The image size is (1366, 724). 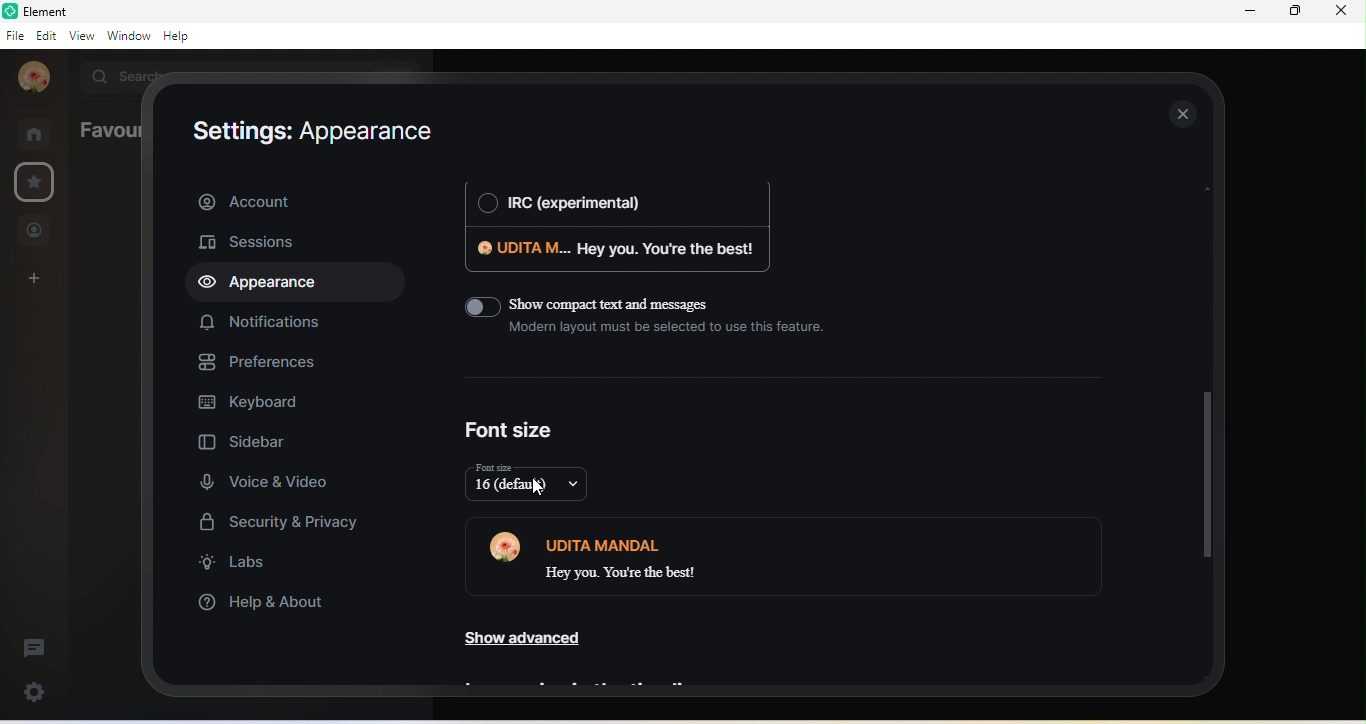 What do you see at coordinates (51, 11) in the screenshot?
I see `title` at bounding box center [51, 11].